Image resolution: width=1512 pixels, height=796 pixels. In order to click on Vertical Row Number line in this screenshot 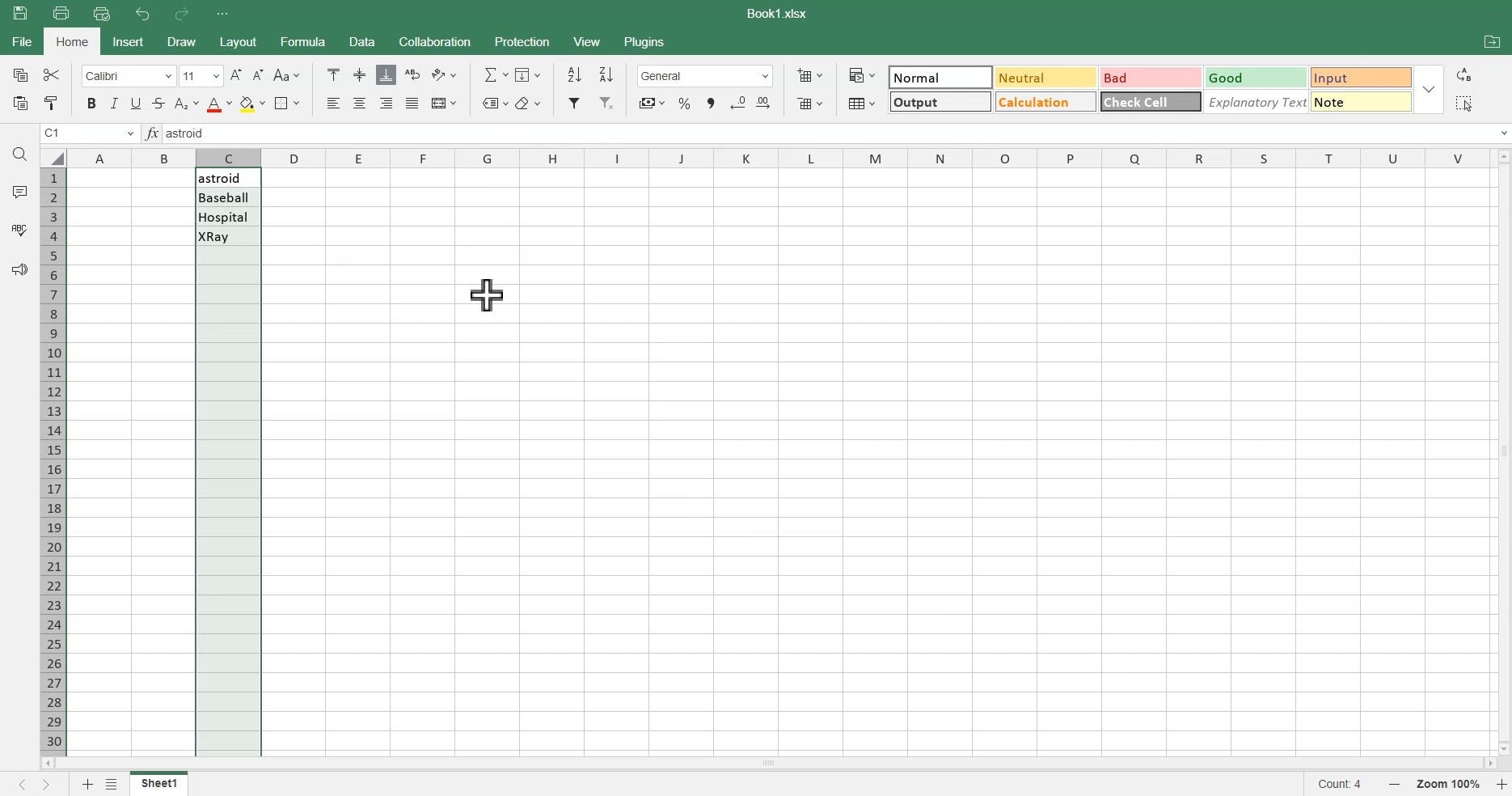, I will do `click(53, 459)`.